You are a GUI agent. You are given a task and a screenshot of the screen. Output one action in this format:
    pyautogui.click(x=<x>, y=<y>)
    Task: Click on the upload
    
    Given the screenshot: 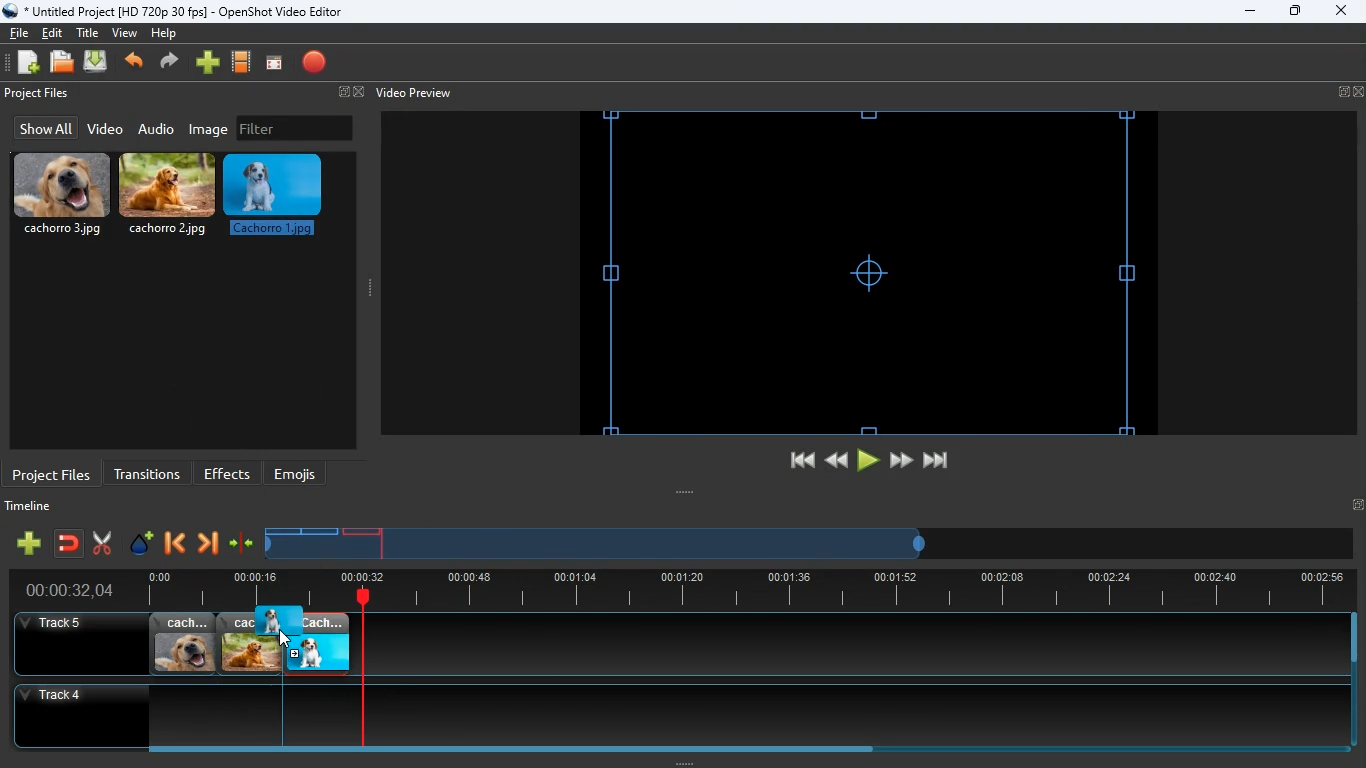 What is the action you would take?
    pyautogui.click(x=98, y=63)
    